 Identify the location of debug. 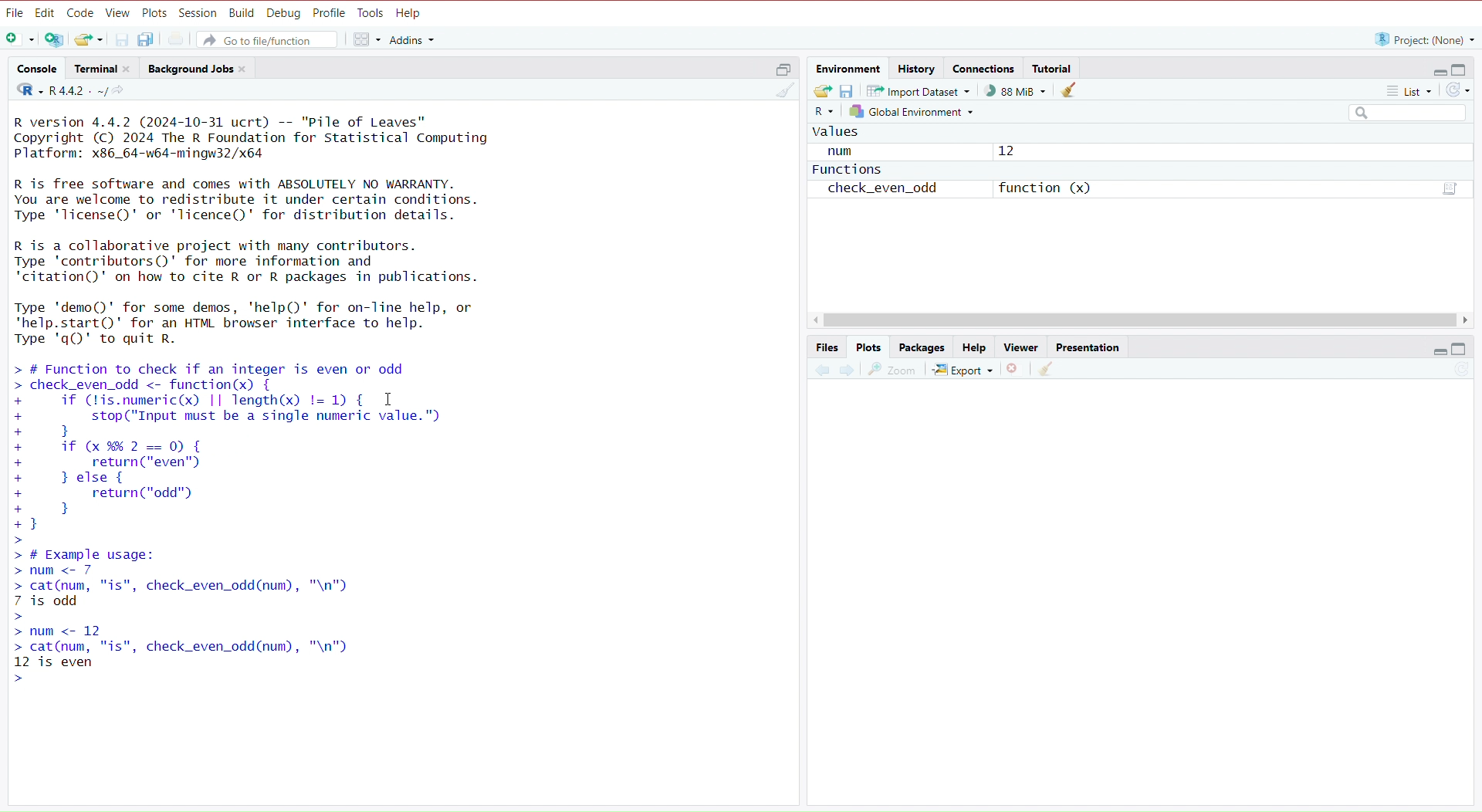
(284, 14).